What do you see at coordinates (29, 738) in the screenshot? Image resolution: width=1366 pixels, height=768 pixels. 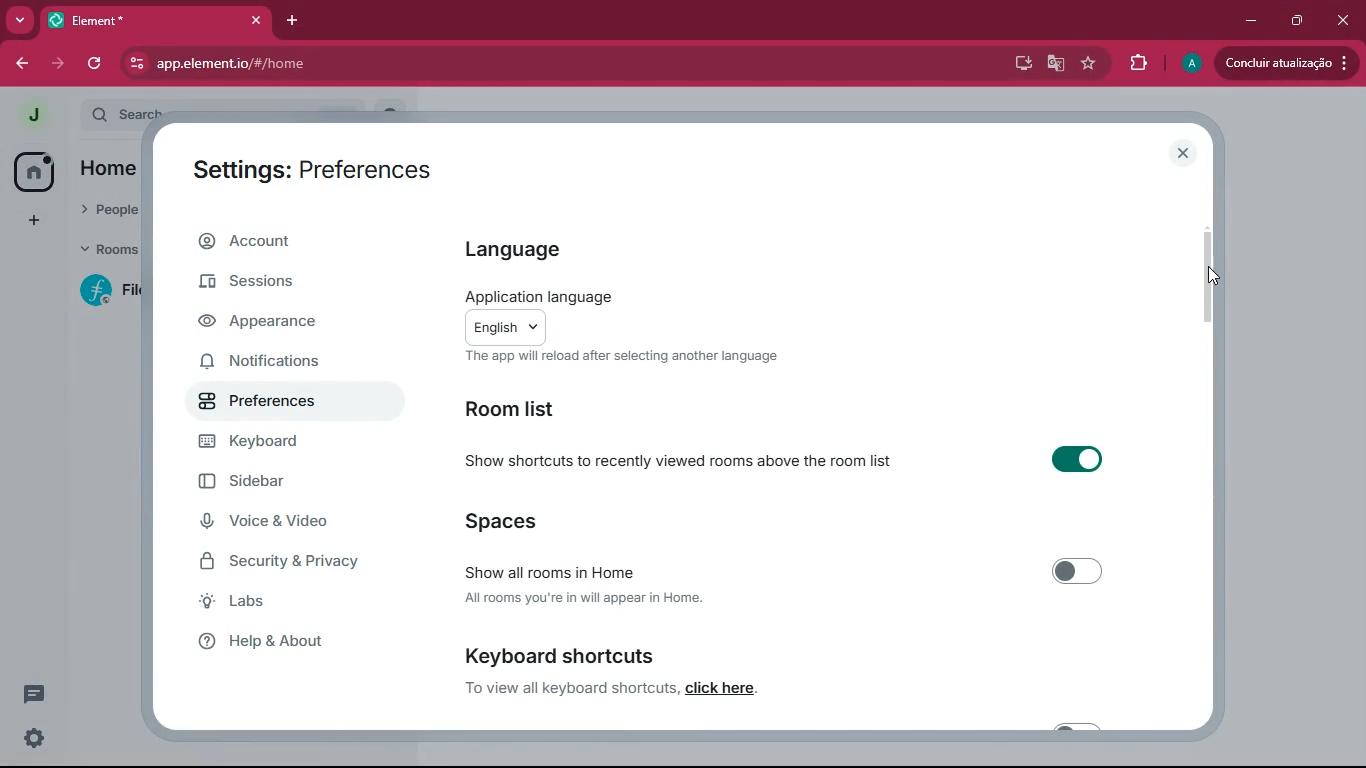 I see `settings` at bounding box center [29, 738].